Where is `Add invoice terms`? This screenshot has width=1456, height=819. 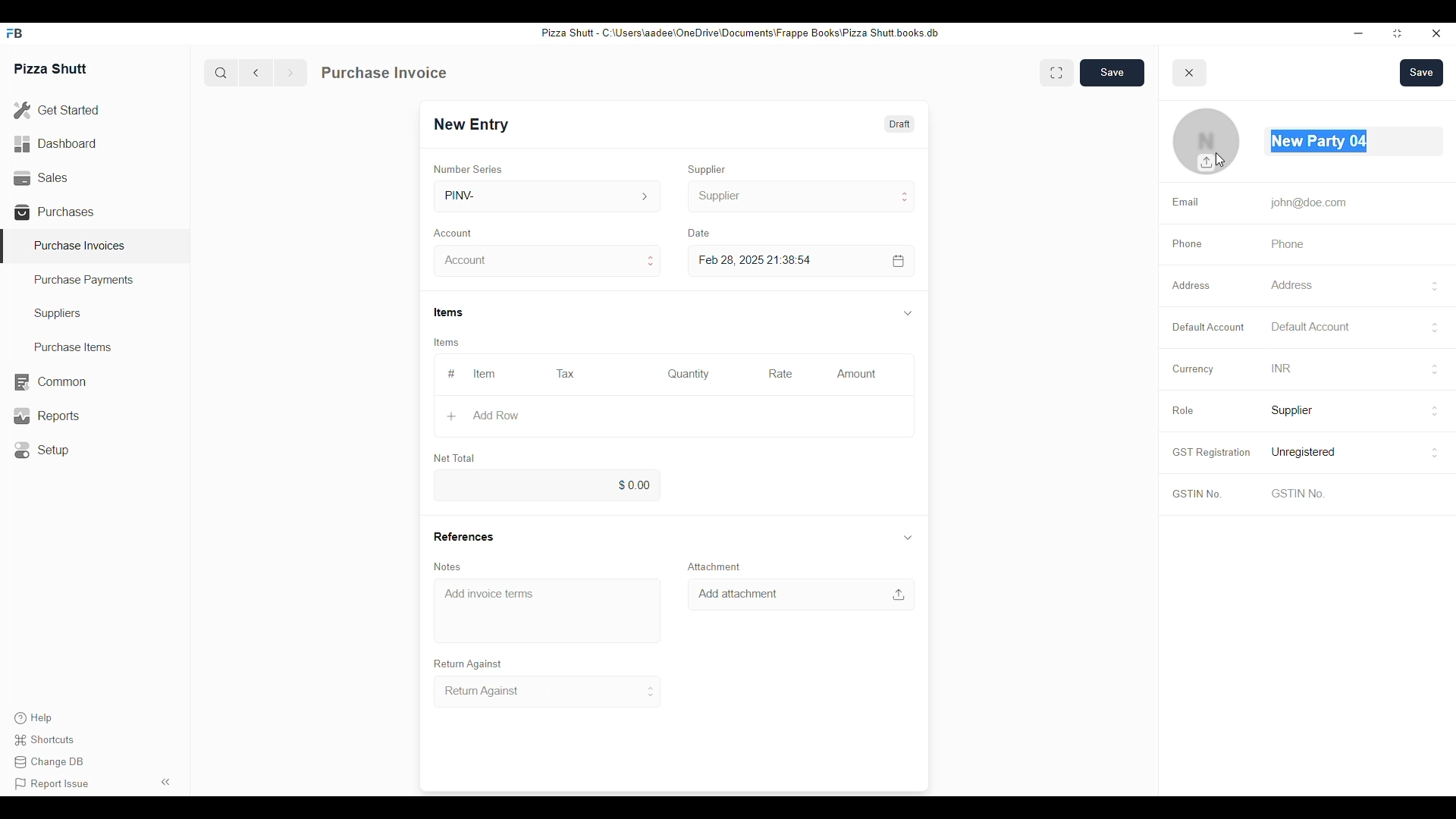 Add invoice terms is located at coordinates (490, 593).